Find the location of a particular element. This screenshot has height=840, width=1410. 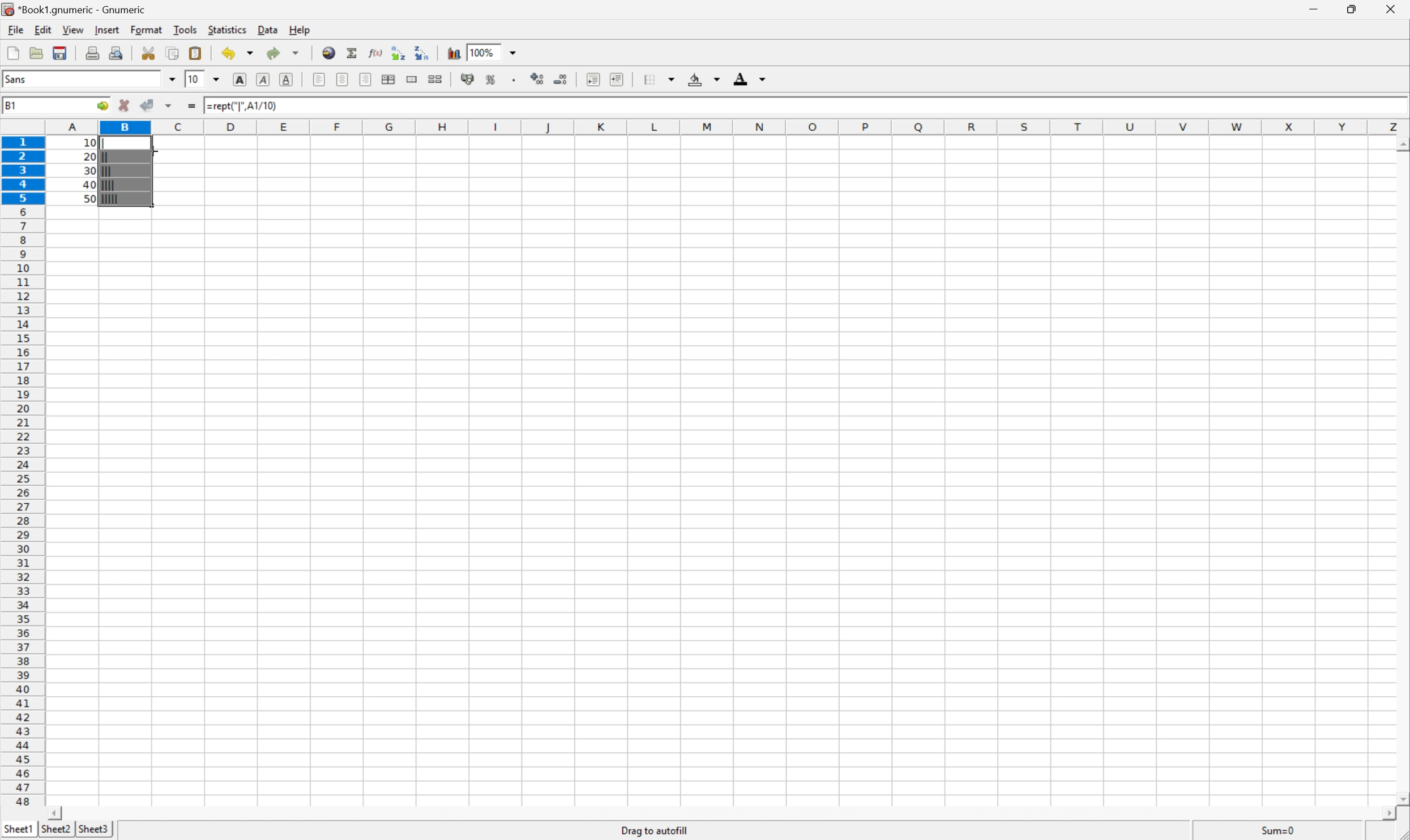

Decrease indent, and align the contents to the left is located at coordinates (593, 78).